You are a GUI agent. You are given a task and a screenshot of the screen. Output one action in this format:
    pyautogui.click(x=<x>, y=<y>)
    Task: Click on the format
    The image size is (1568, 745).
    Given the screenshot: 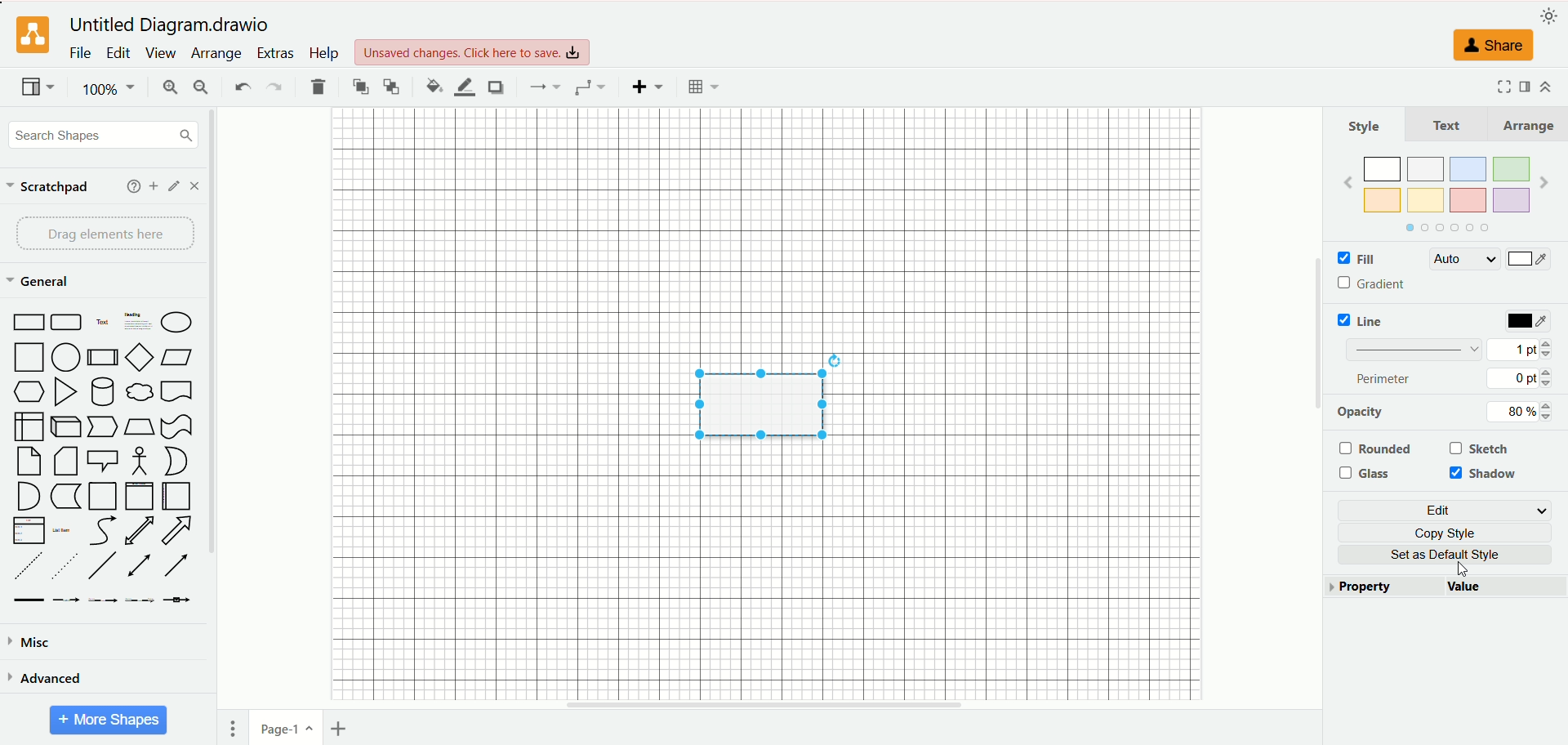 What is the action you would take?
    pyautogui.click(x=1526, y=85)
    